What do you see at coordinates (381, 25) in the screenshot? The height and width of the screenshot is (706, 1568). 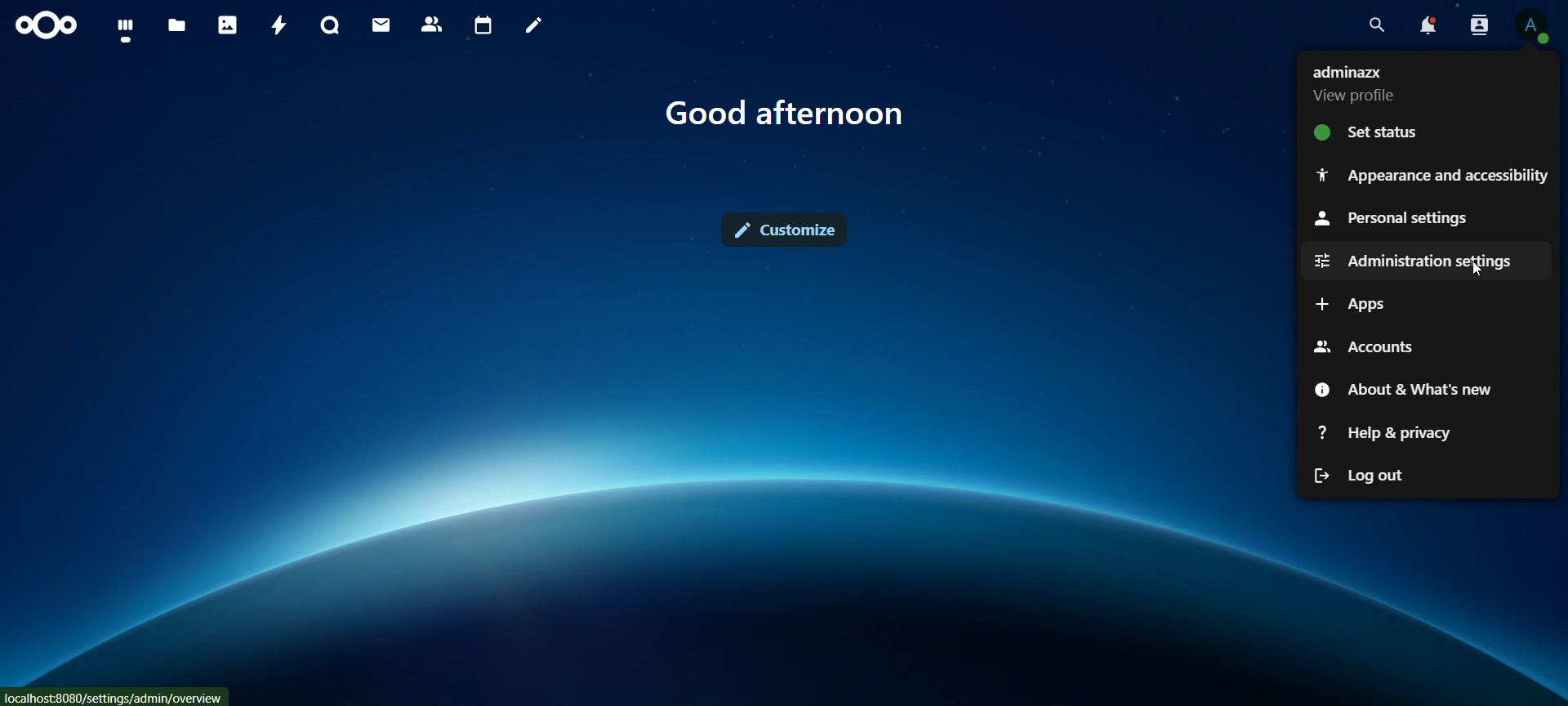 I see `mail` at bounding box center [381, 25].